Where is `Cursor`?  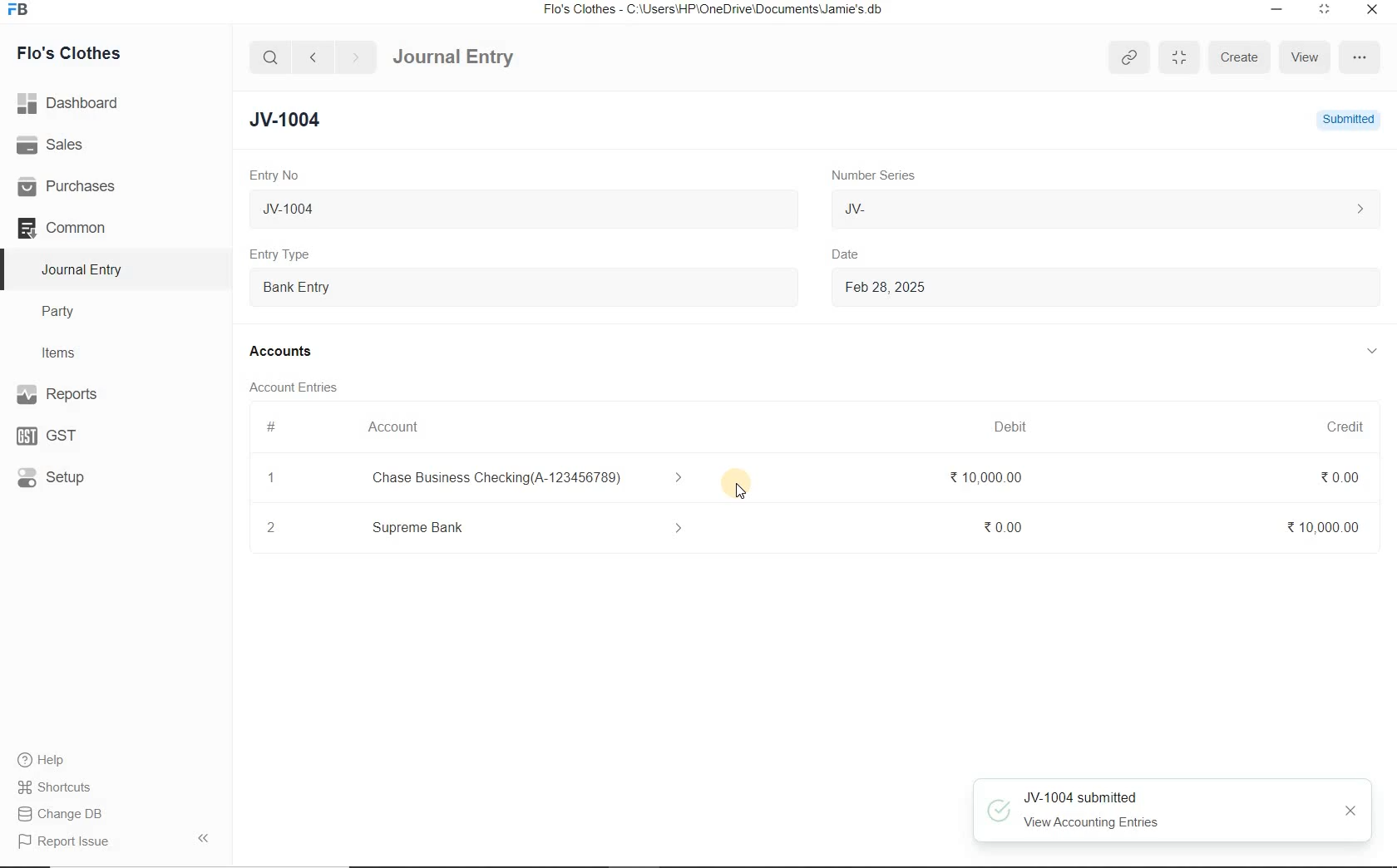
Cursor is located at coordinates (738, 491).